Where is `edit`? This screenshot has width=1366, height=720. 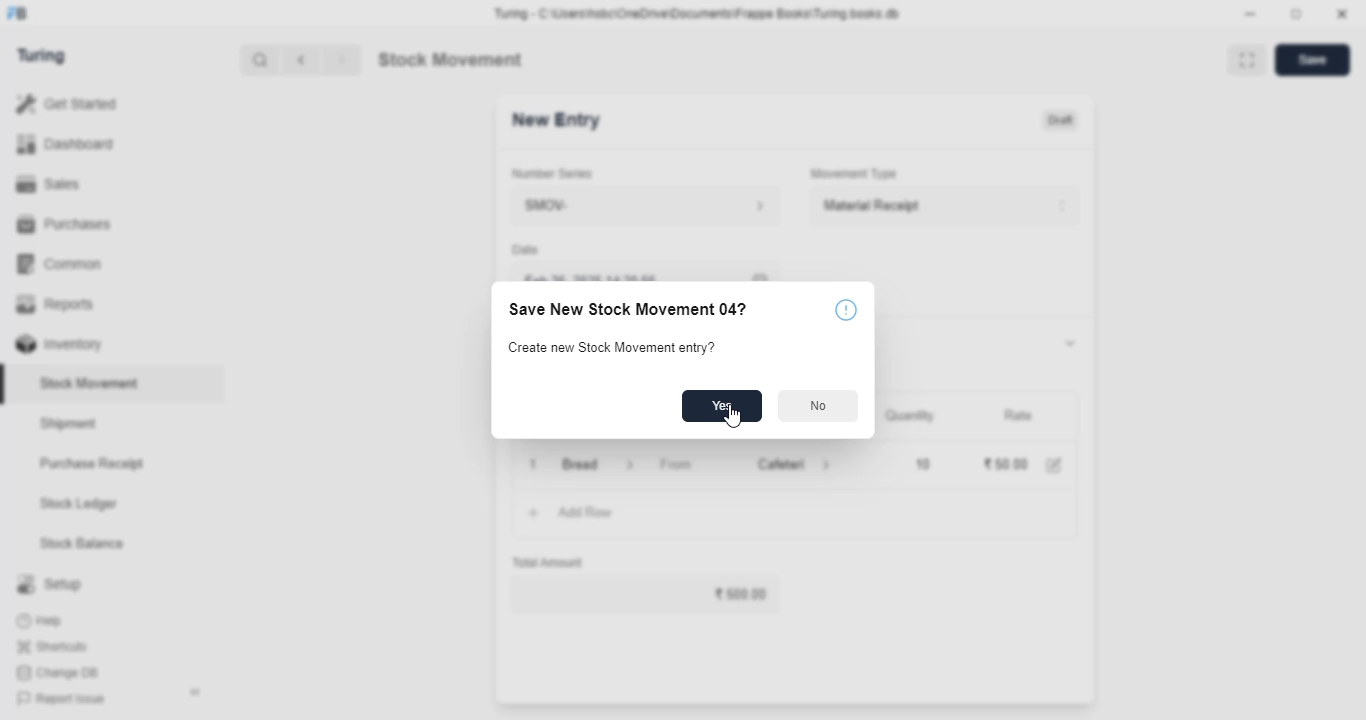 edit is located at coordinates (1055, 465).